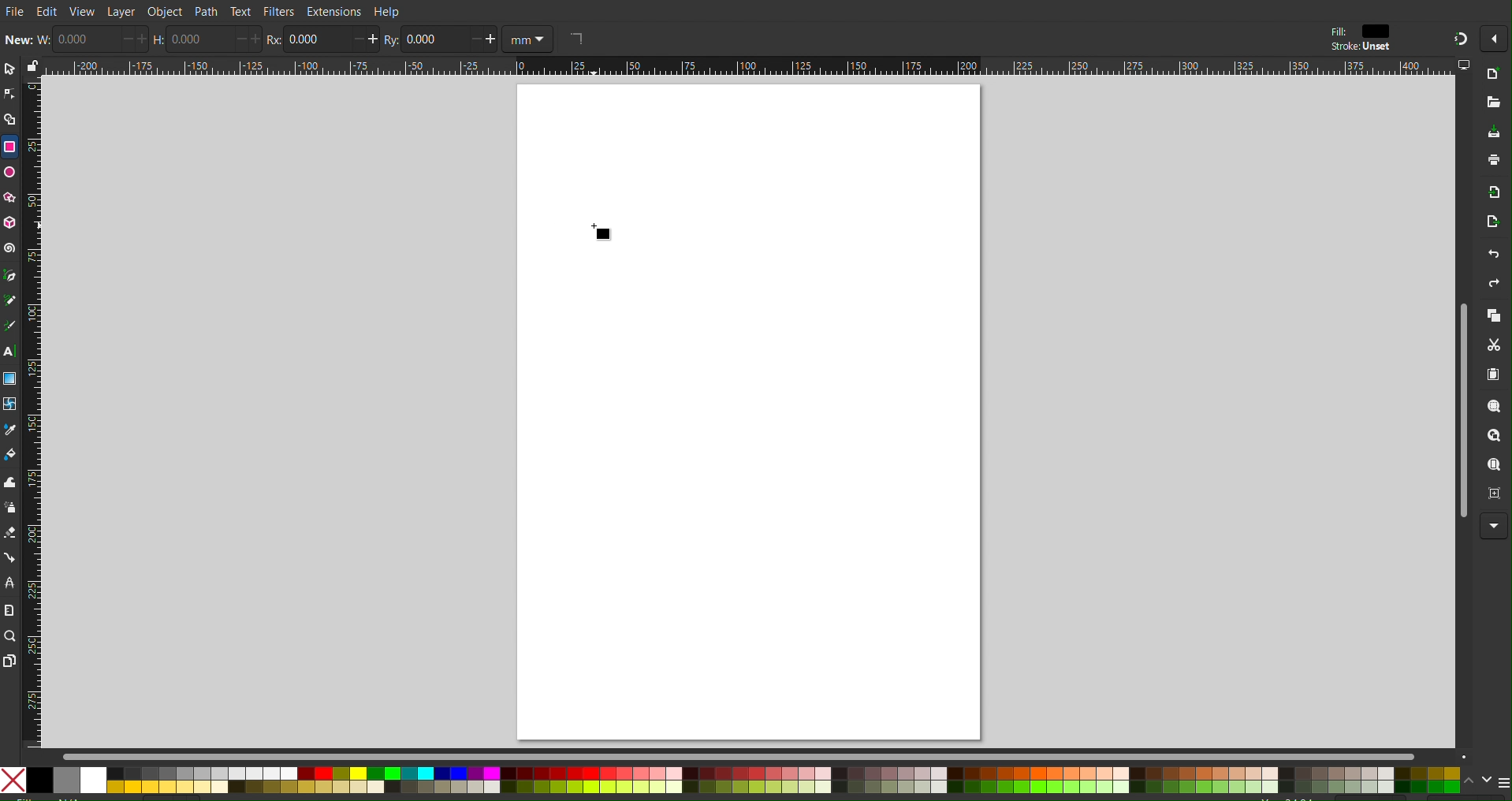 This screenshot has width=1512, height=801. I want to click on Open Export, so click(1485, 225).